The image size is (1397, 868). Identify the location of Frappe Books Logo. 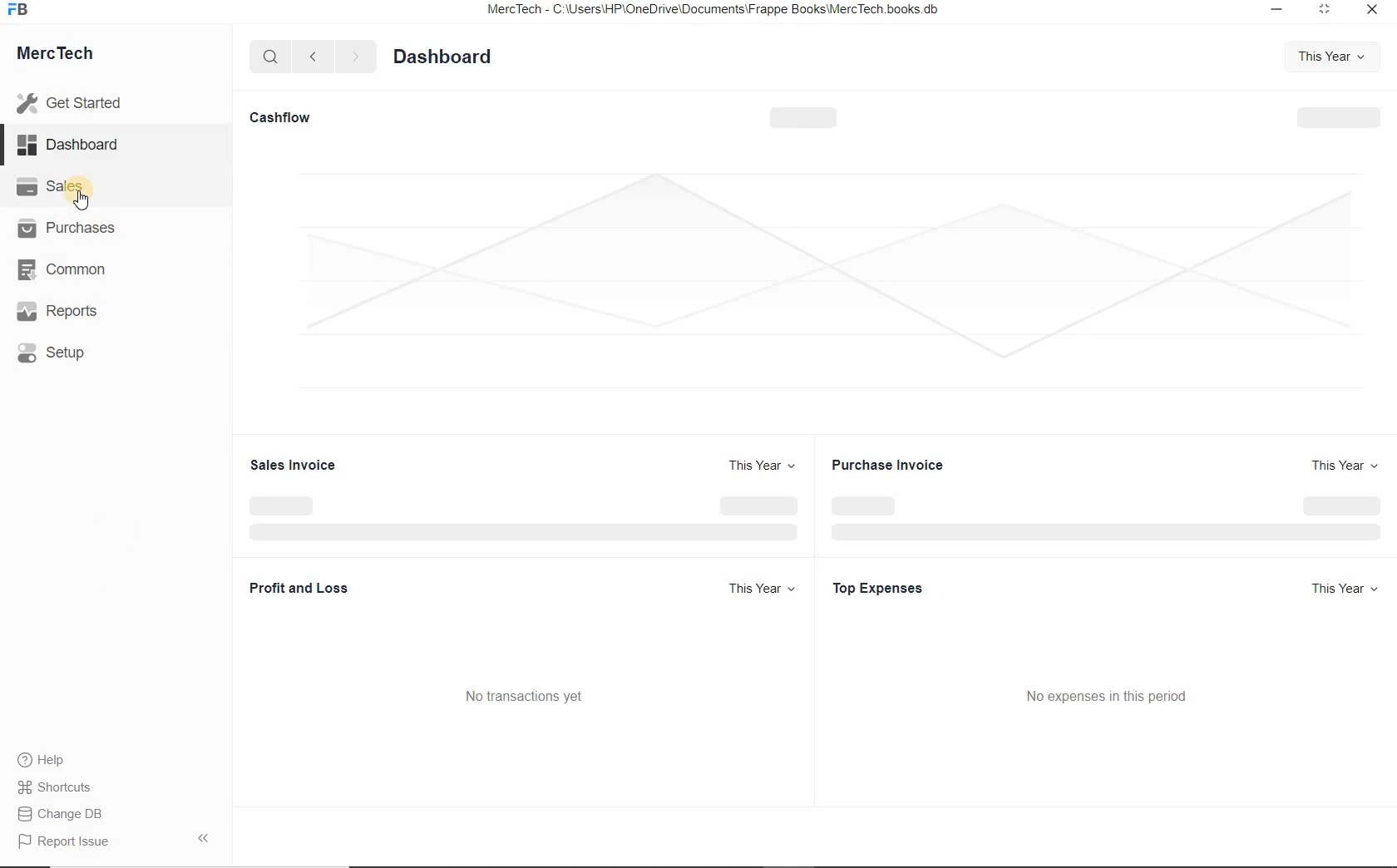
(19, 10).